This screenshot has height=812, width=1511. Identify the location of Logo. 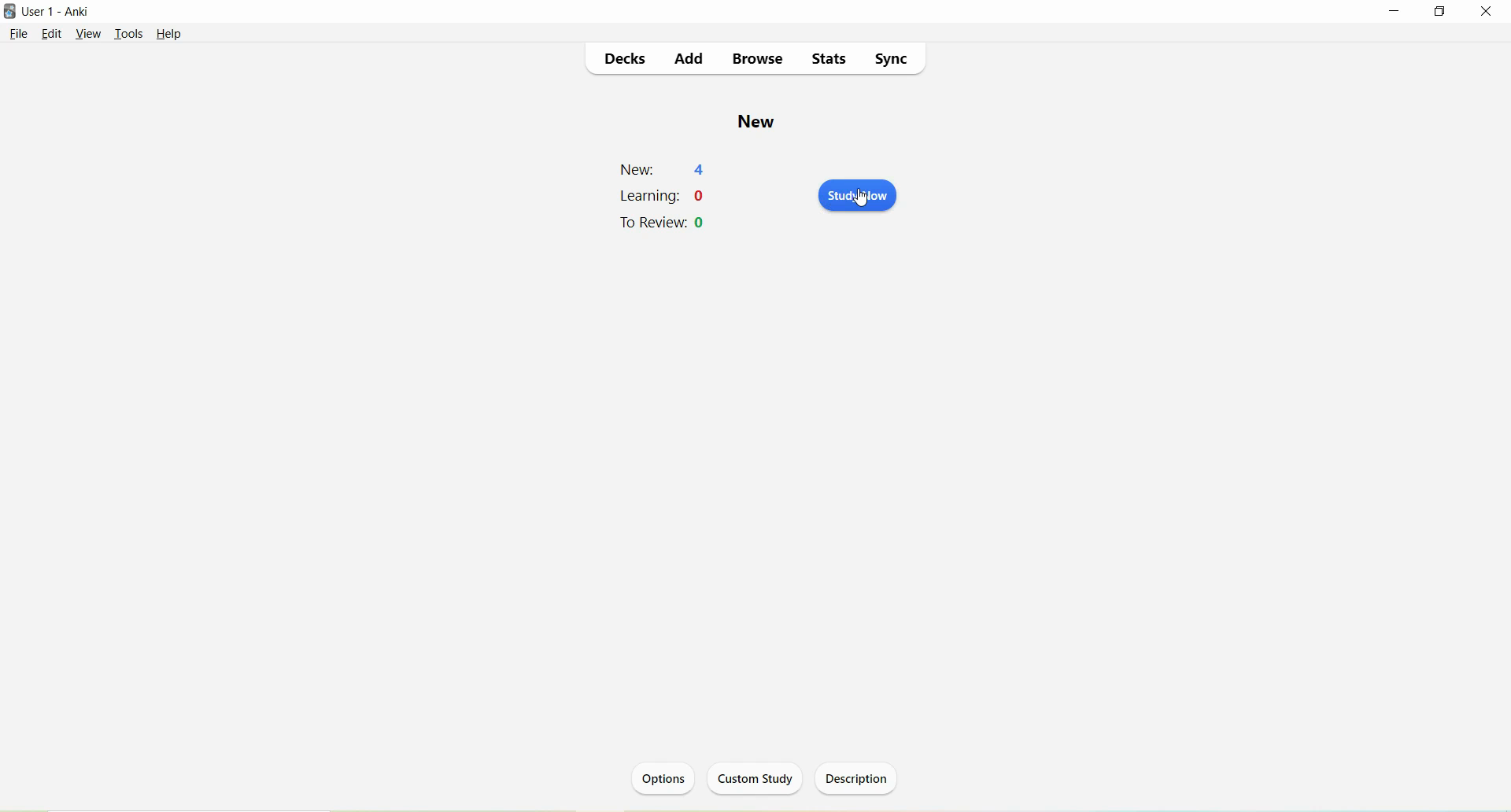
(9, 12).